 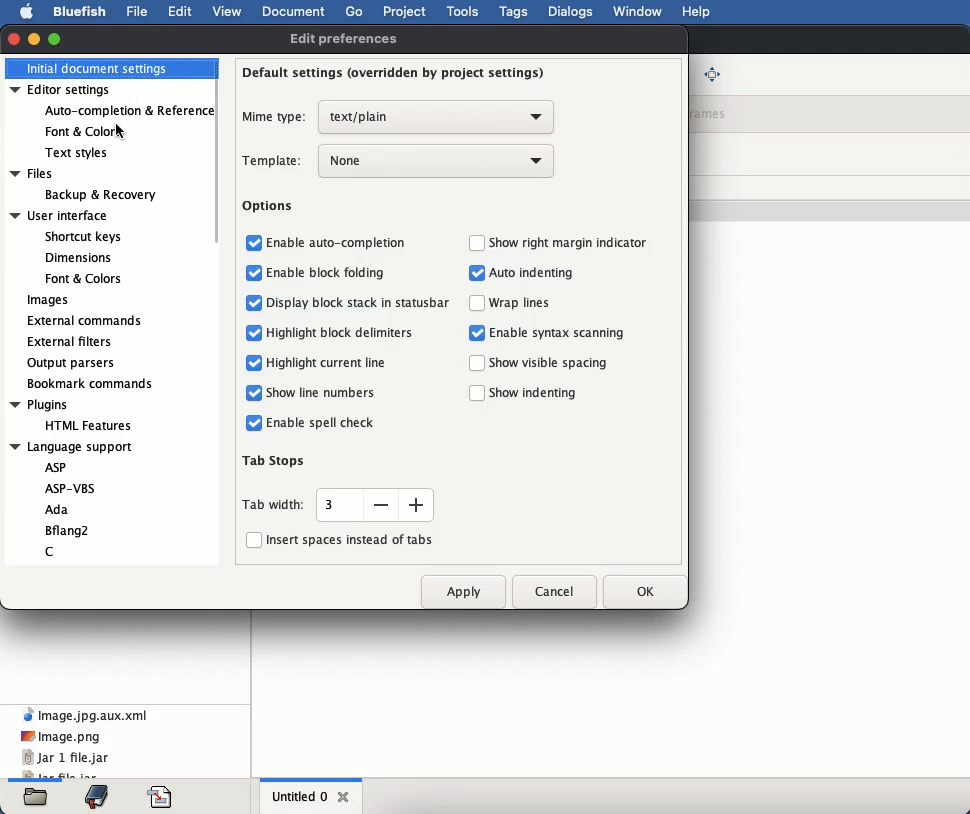 I want to click on code, so click(x=162, y=797).